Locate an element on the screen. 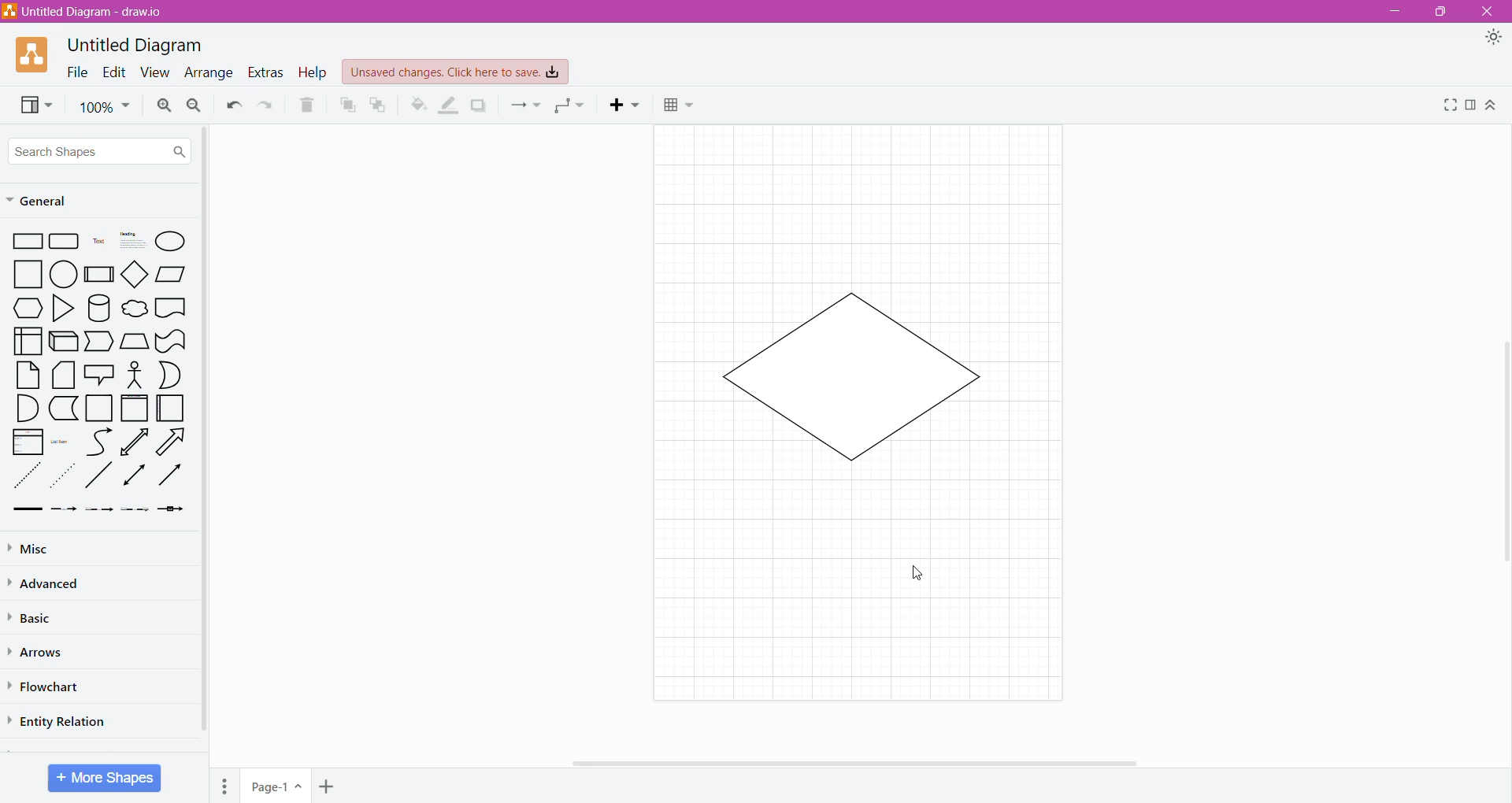 The width and height of the screenshot is (1512, 803). Insert Page is located at coordinates (326, 787).